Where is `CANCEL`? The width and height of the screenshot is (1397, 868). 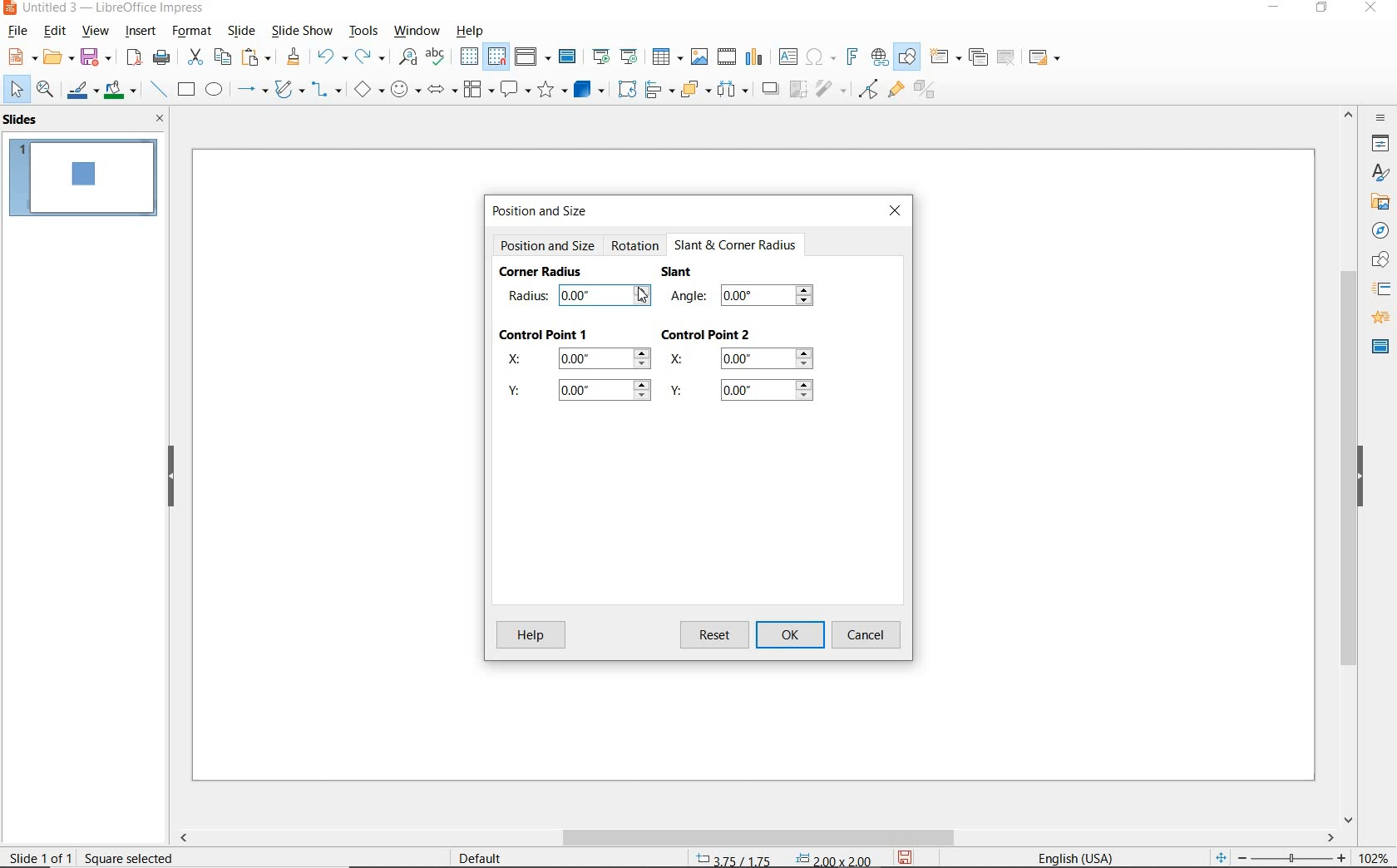
CANCEL is located at coordinates (869, 635).